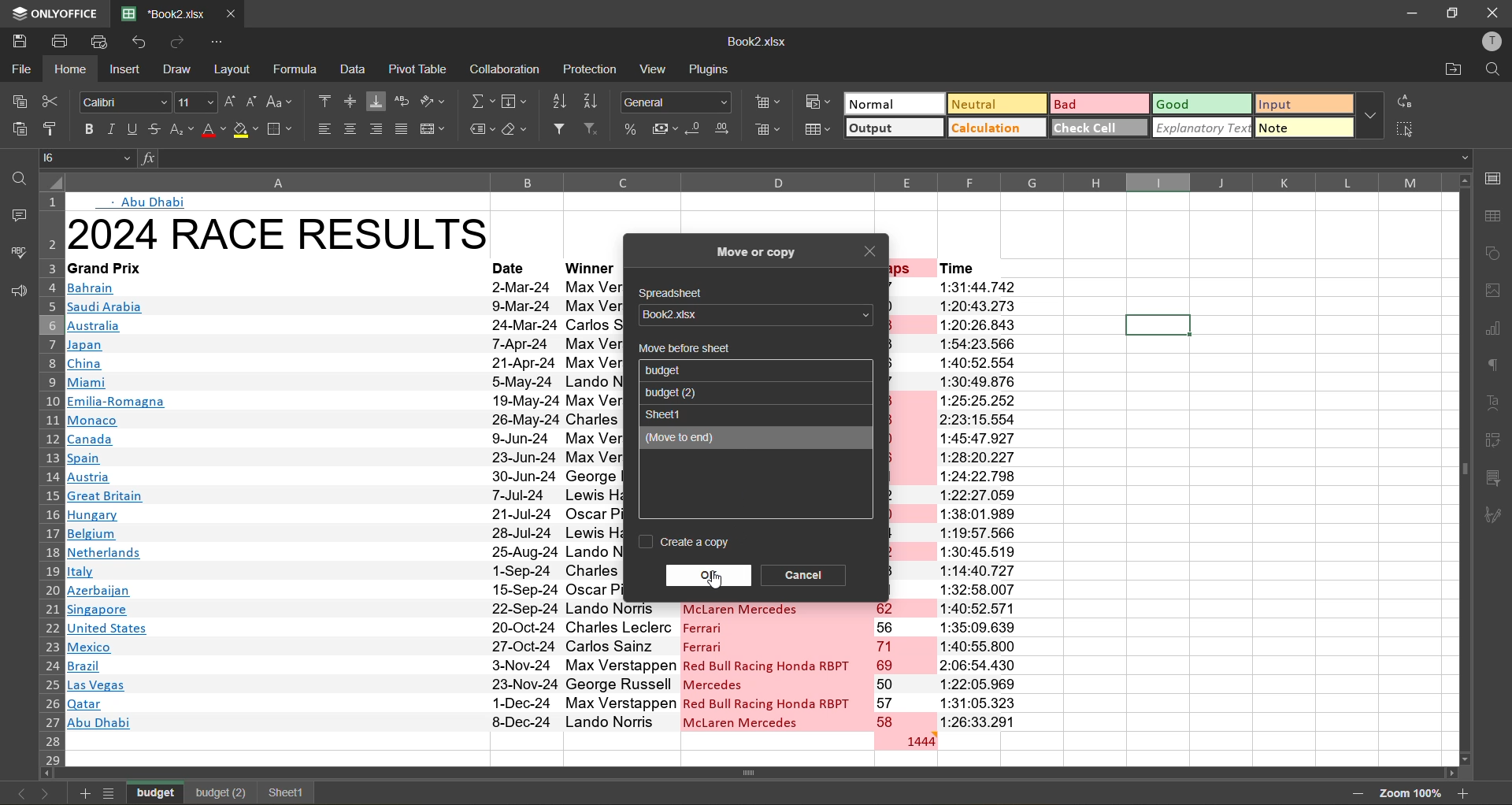 The image size is (1512, 805). I want to click on home, so click(75, 69).